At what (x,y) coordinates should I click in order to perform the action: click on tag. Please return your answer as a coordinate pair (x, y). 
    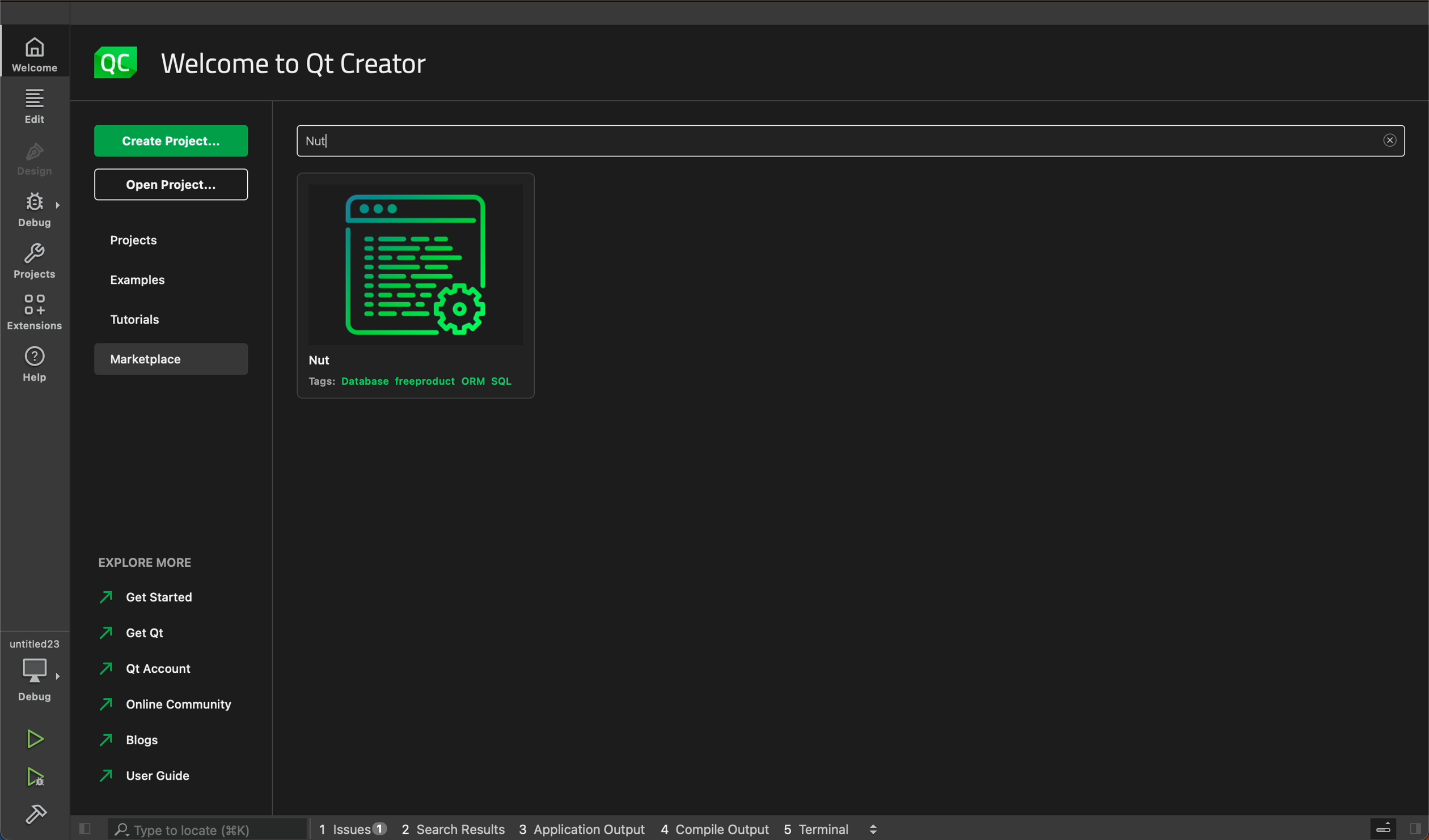
    Looking at the image, I should click on (412, 383).